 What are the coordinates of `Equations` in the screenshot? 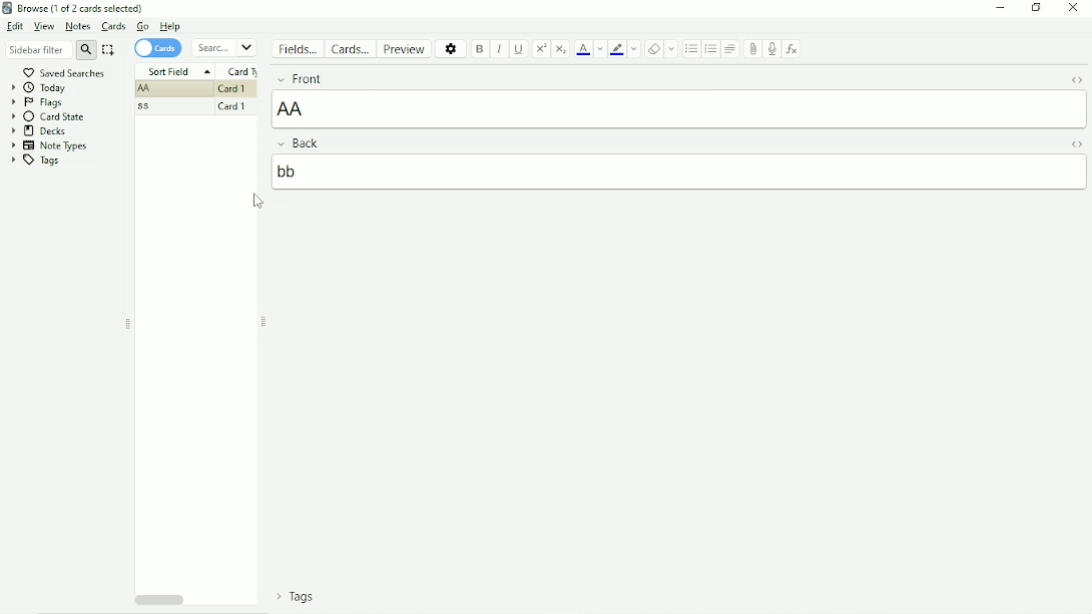 It's located at (793, 48).